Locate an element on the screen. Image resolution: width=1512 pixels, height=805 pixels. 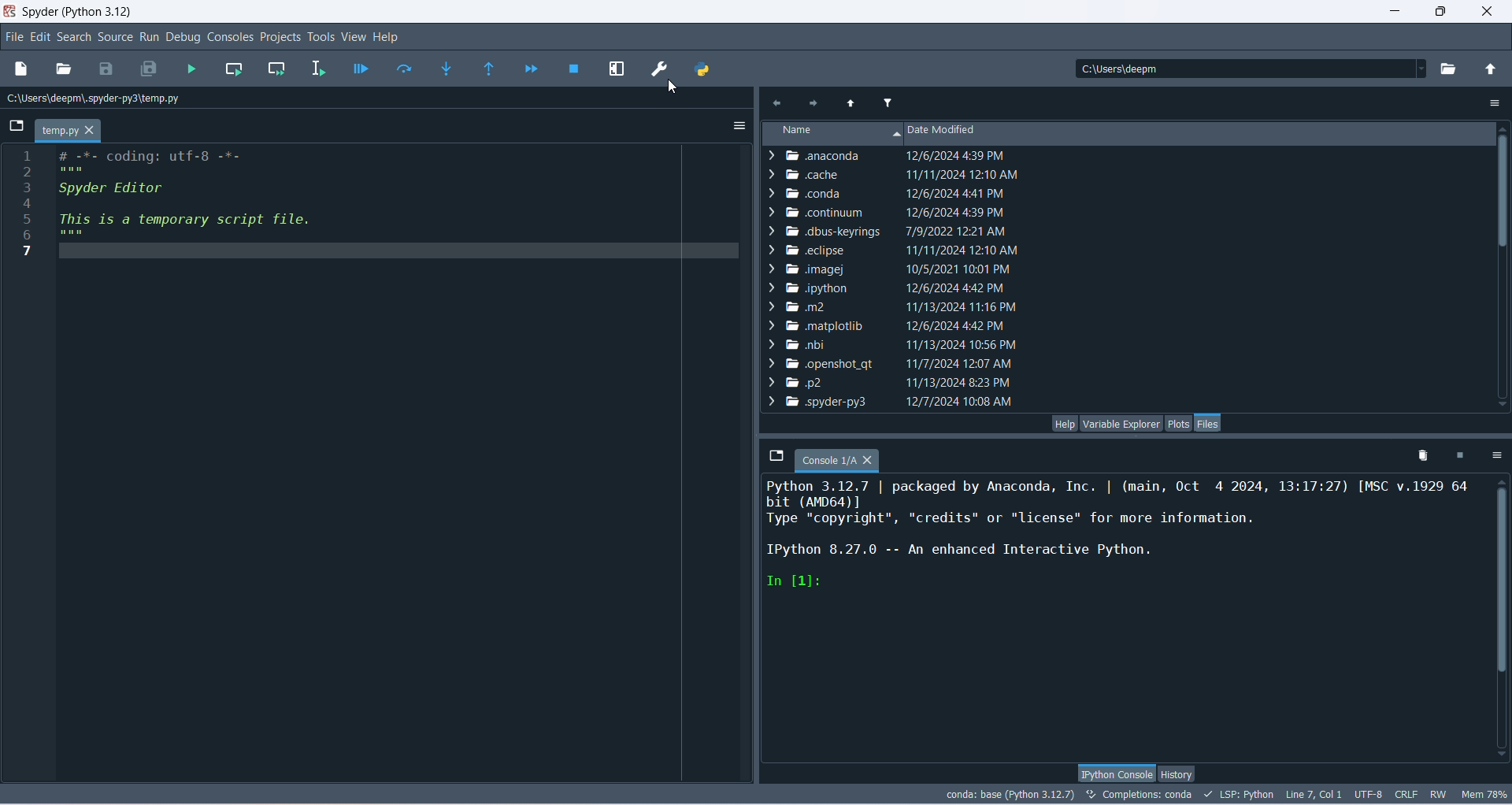
cursor is located at coordinates (676, 88).